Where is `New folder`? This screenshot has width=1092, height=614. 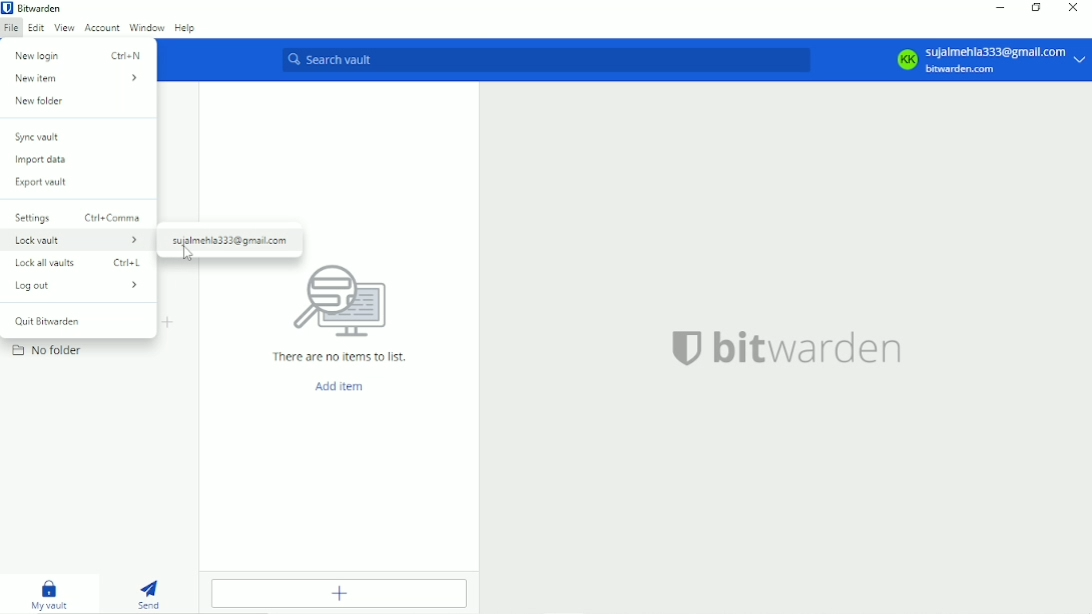
New folder is located at coordinates (41, 103).